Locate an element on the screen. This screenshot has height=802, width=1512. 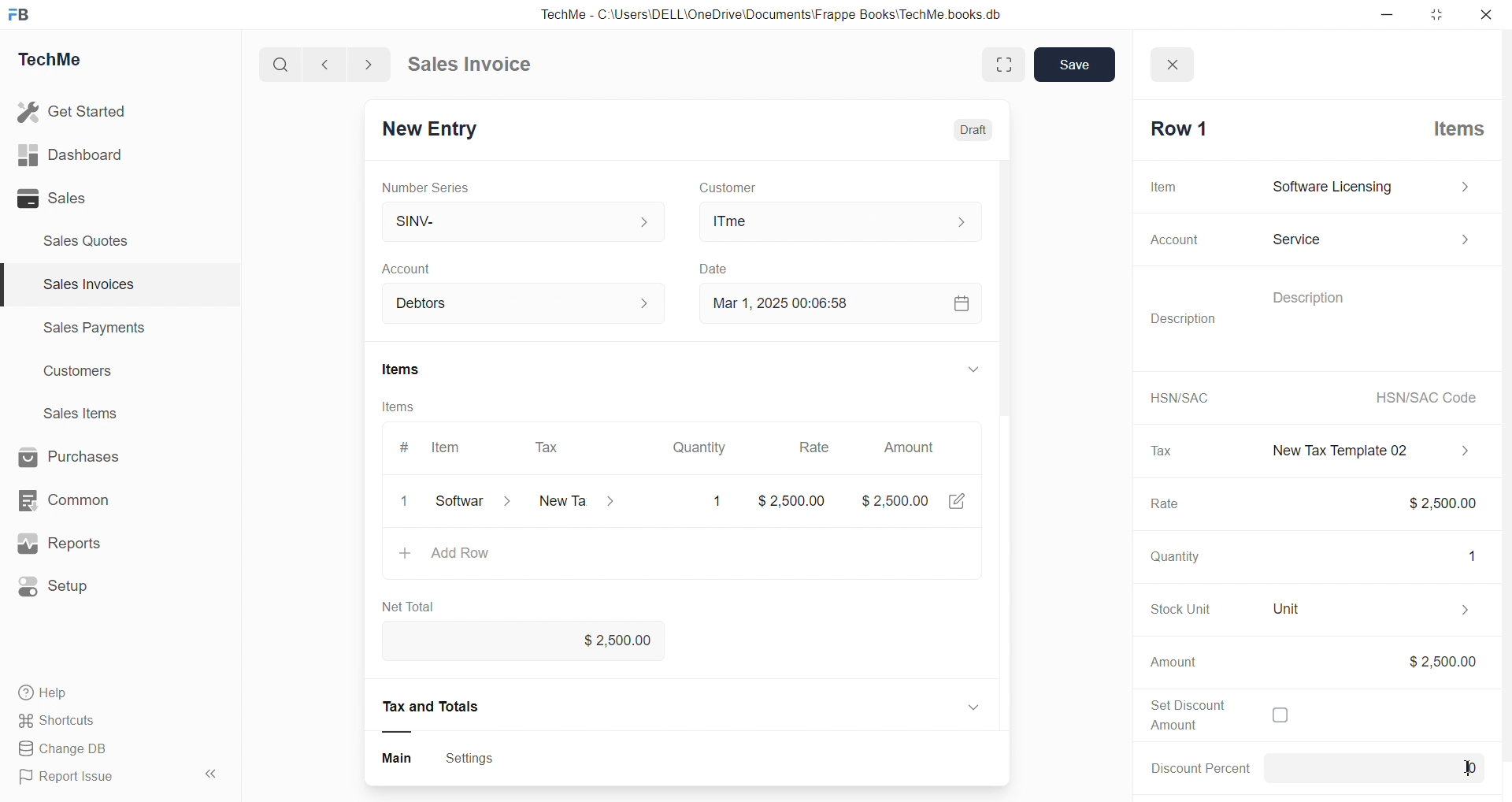
Minimize is located at coordinates (1392, 16).